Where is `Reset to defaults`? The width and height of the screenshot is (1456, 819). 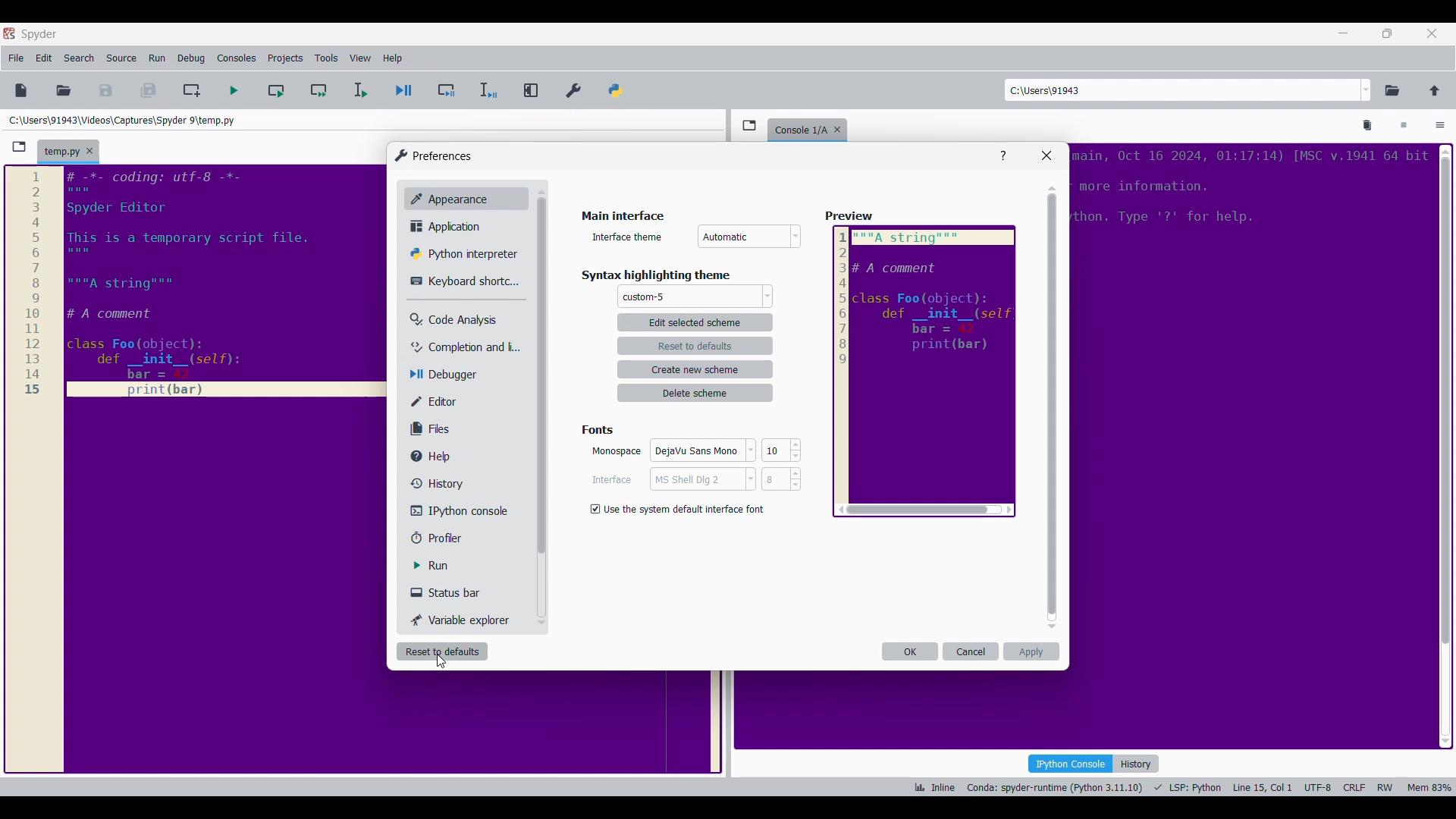 Reset to defaults is located at coordinates (696, 347).